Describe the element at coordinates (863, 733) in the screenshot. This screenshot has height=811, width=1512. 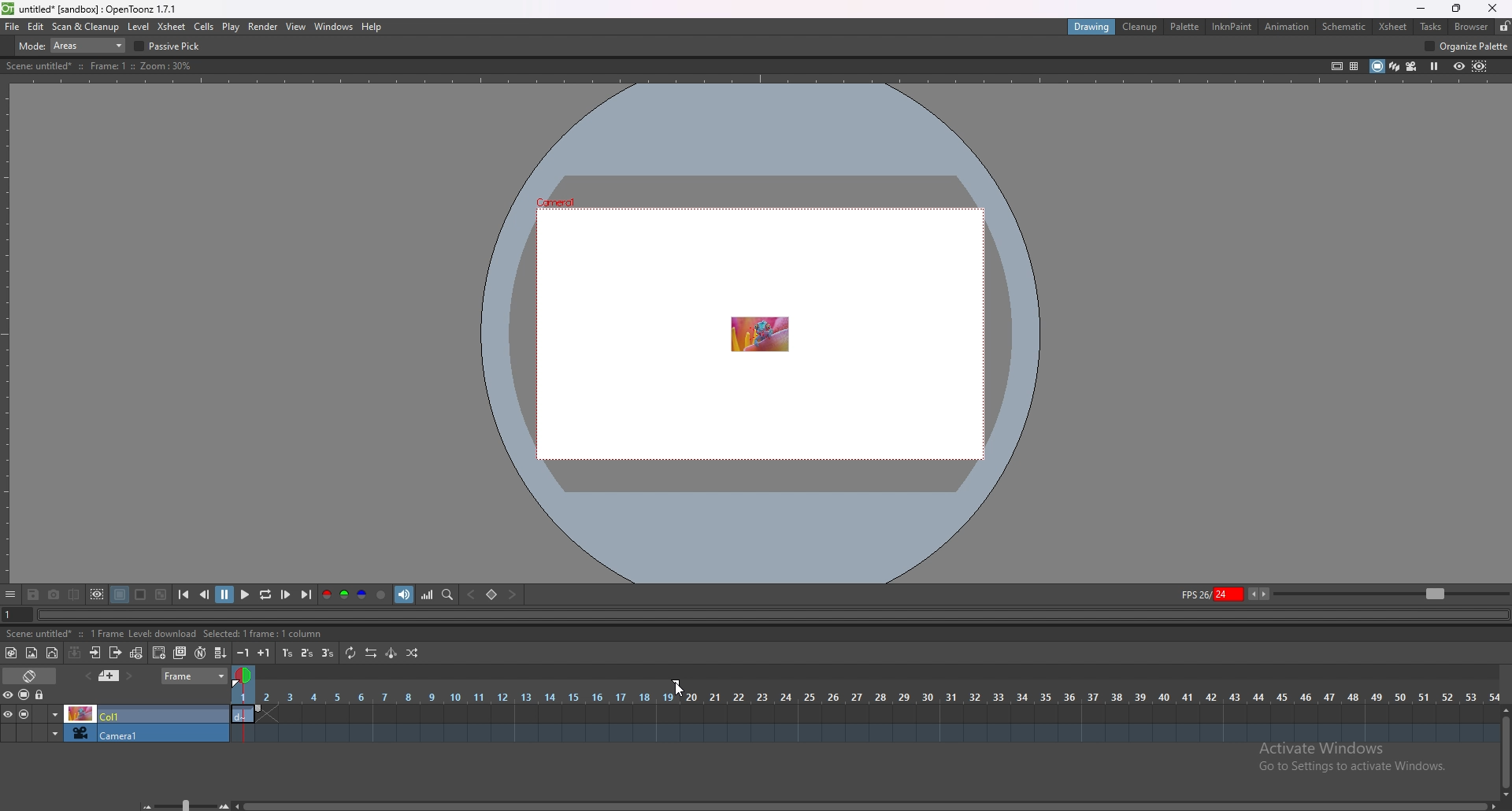
I see `timeline` at that location.